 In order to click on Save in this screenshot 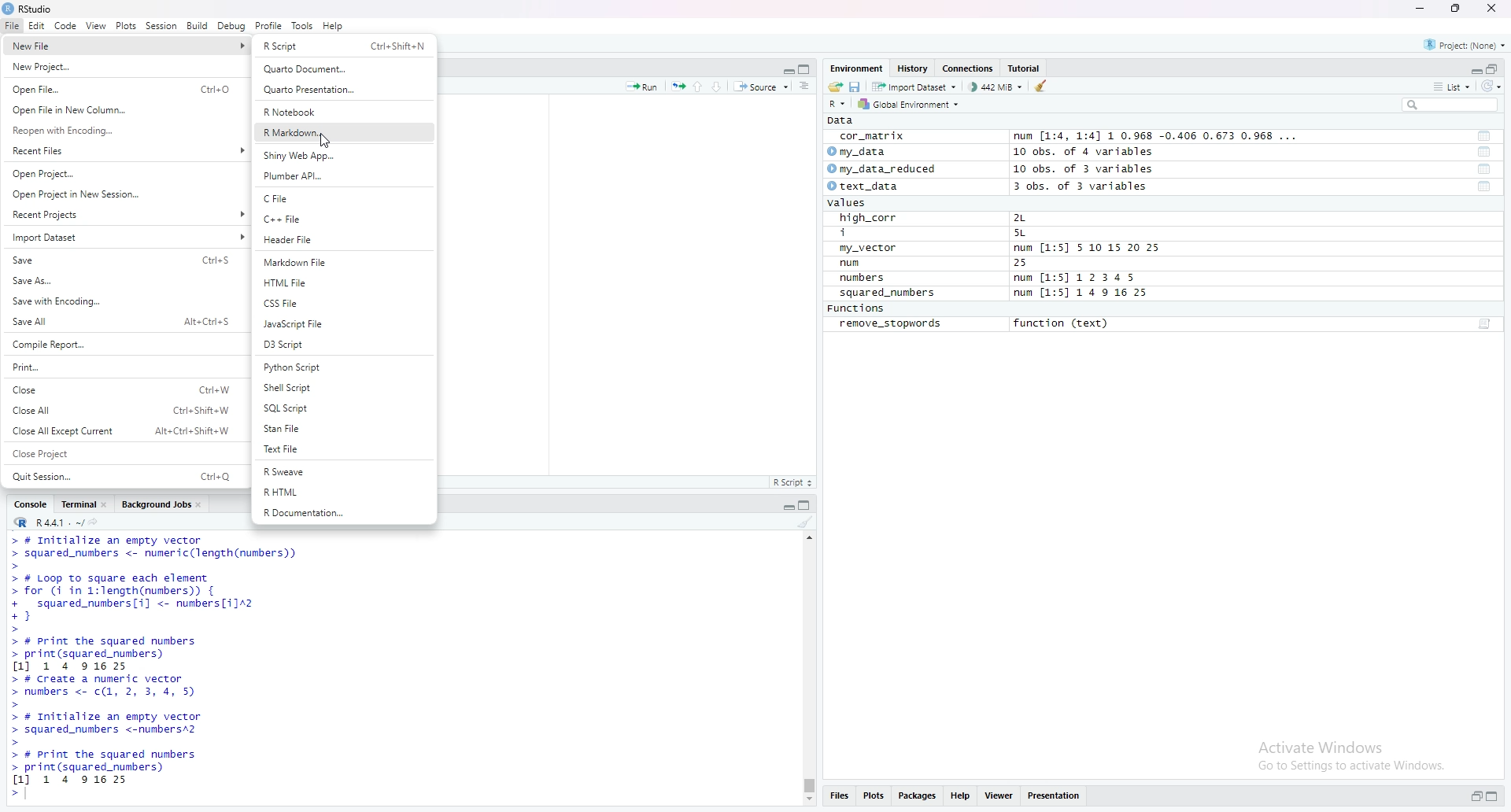, I will do `click(124, 260)`.